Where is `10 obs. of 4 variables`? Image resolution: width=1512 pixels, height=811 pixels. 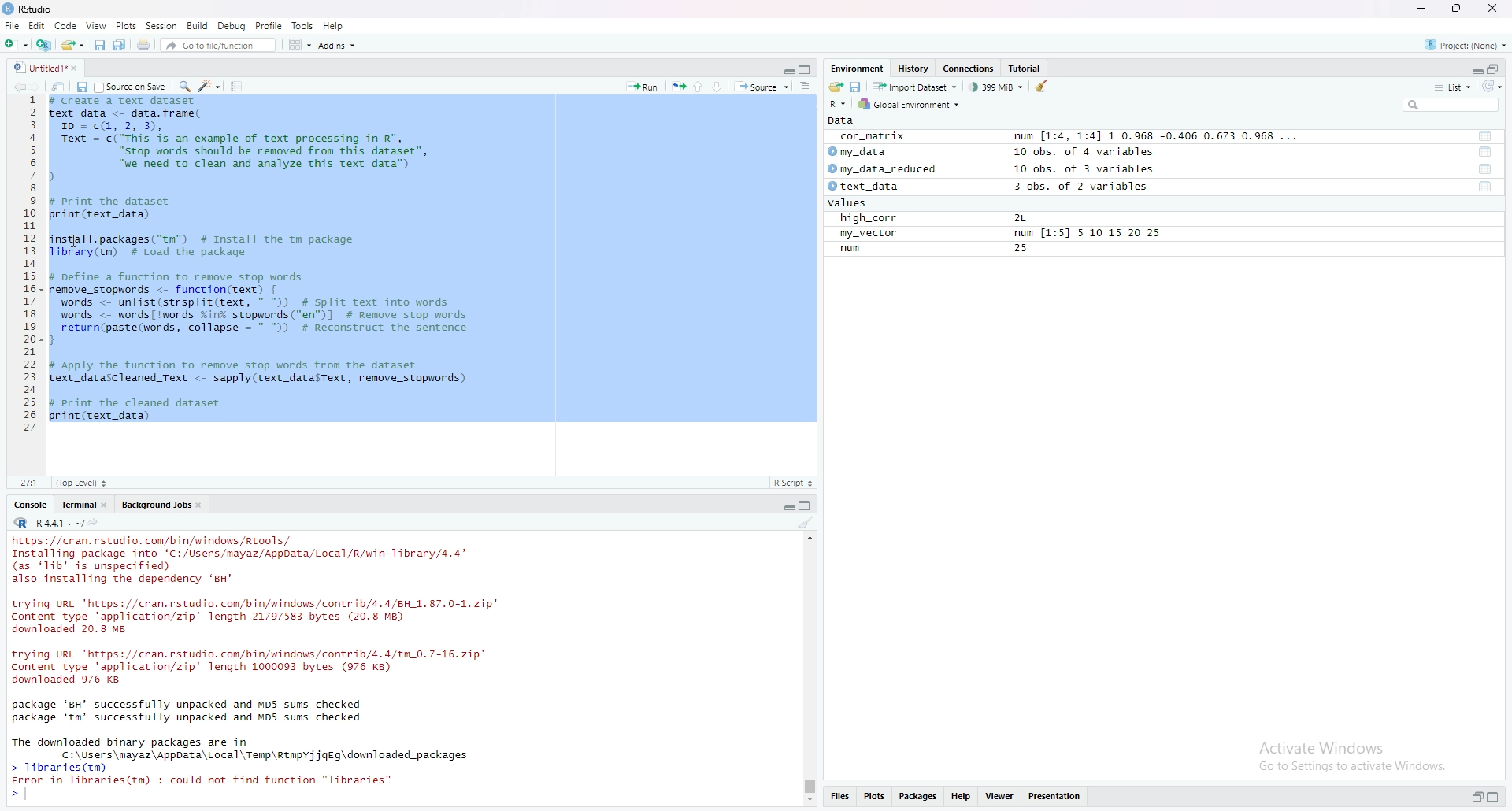
10 obs. of 4 variables is located at coordinates (1084, 152).